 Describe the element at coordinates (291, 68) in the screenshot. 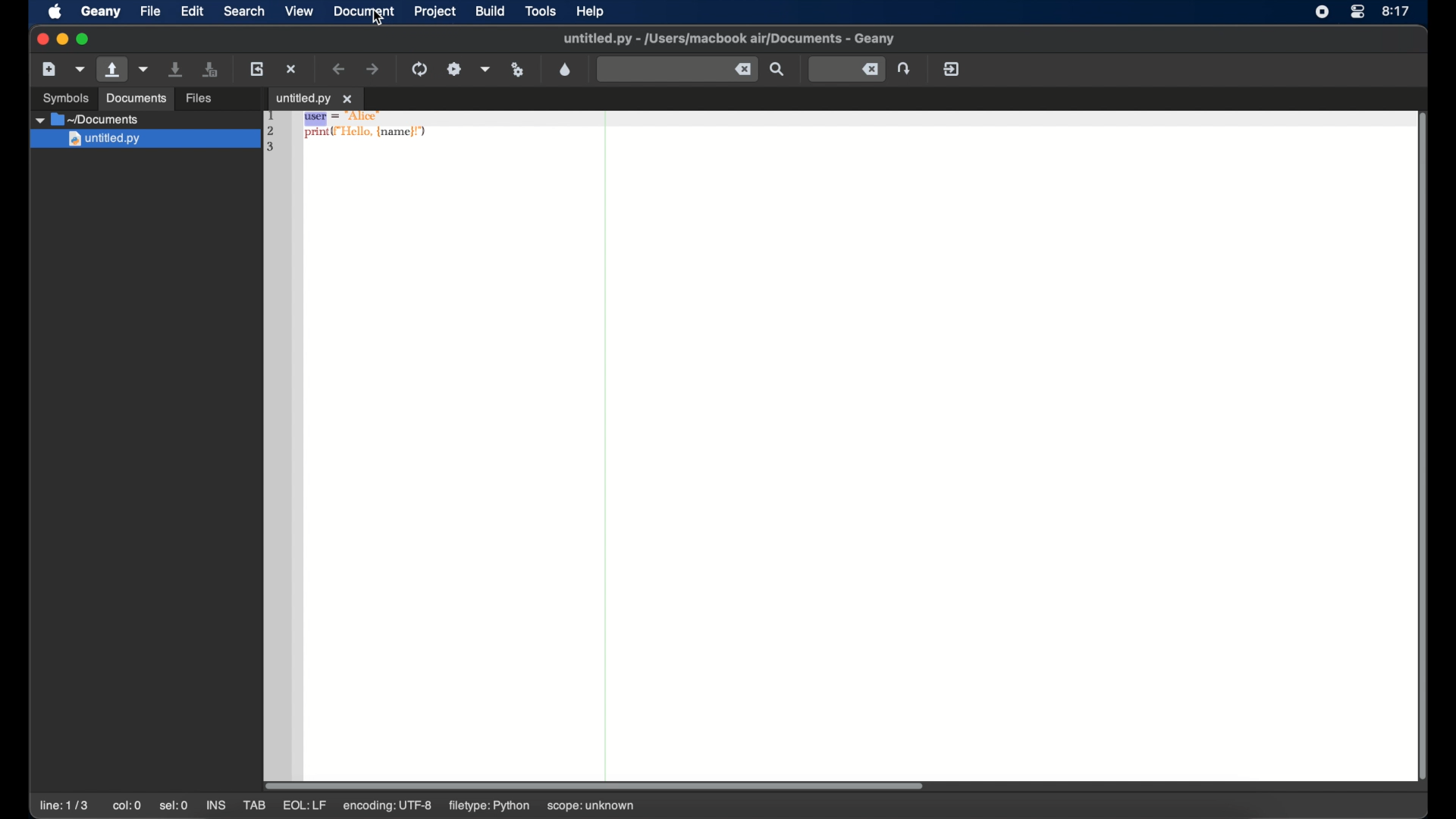

I see `close the current file` at that location.